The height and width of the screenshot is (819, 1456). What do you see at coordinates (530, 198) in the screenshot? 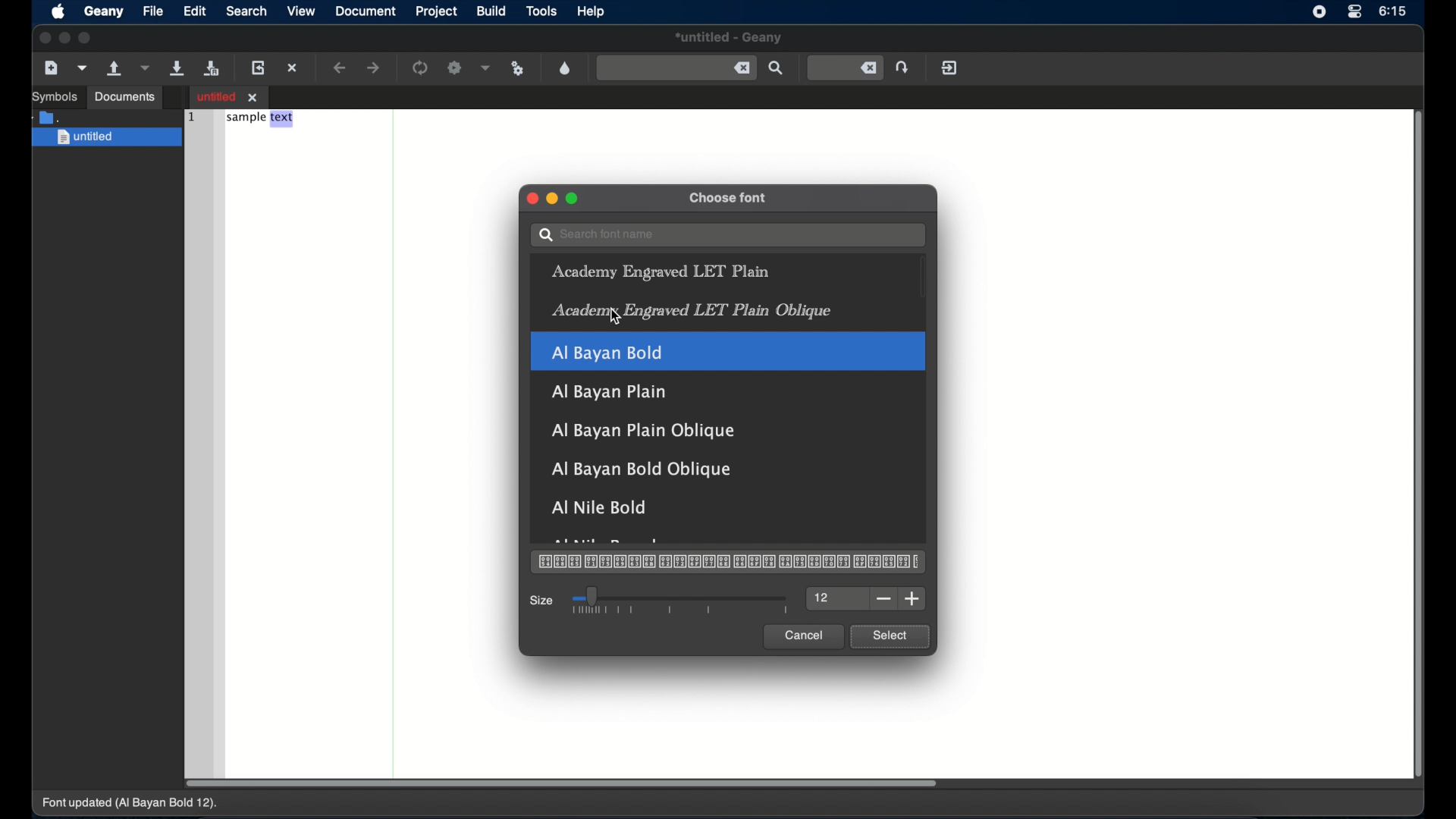
I see `close` at bounding box center [530, 198].